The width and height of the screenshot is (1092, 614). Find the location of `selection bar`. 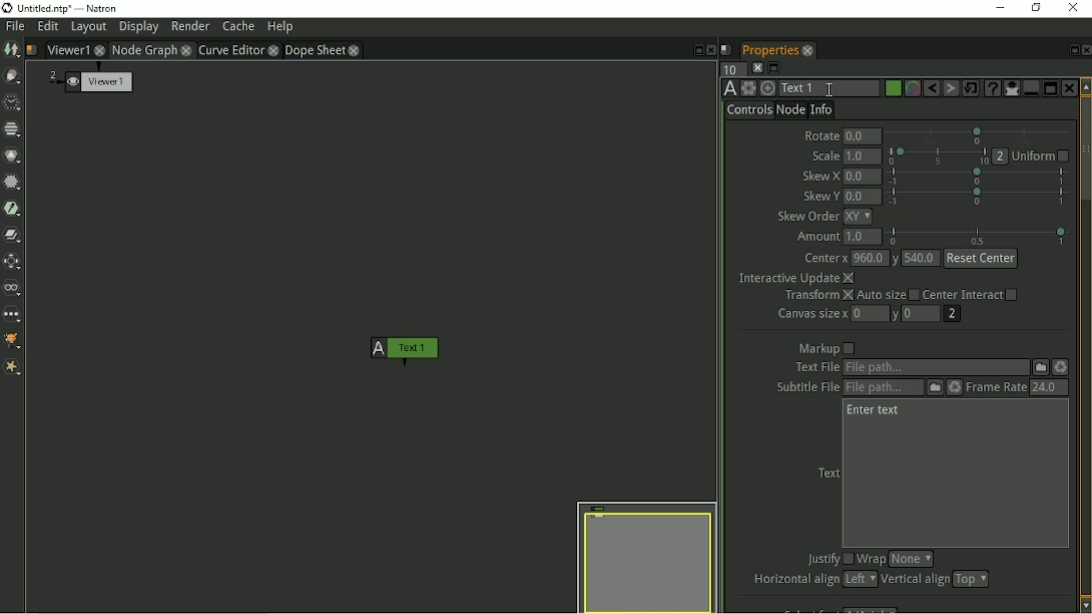

selection bar is located at coordinates (978, 176).